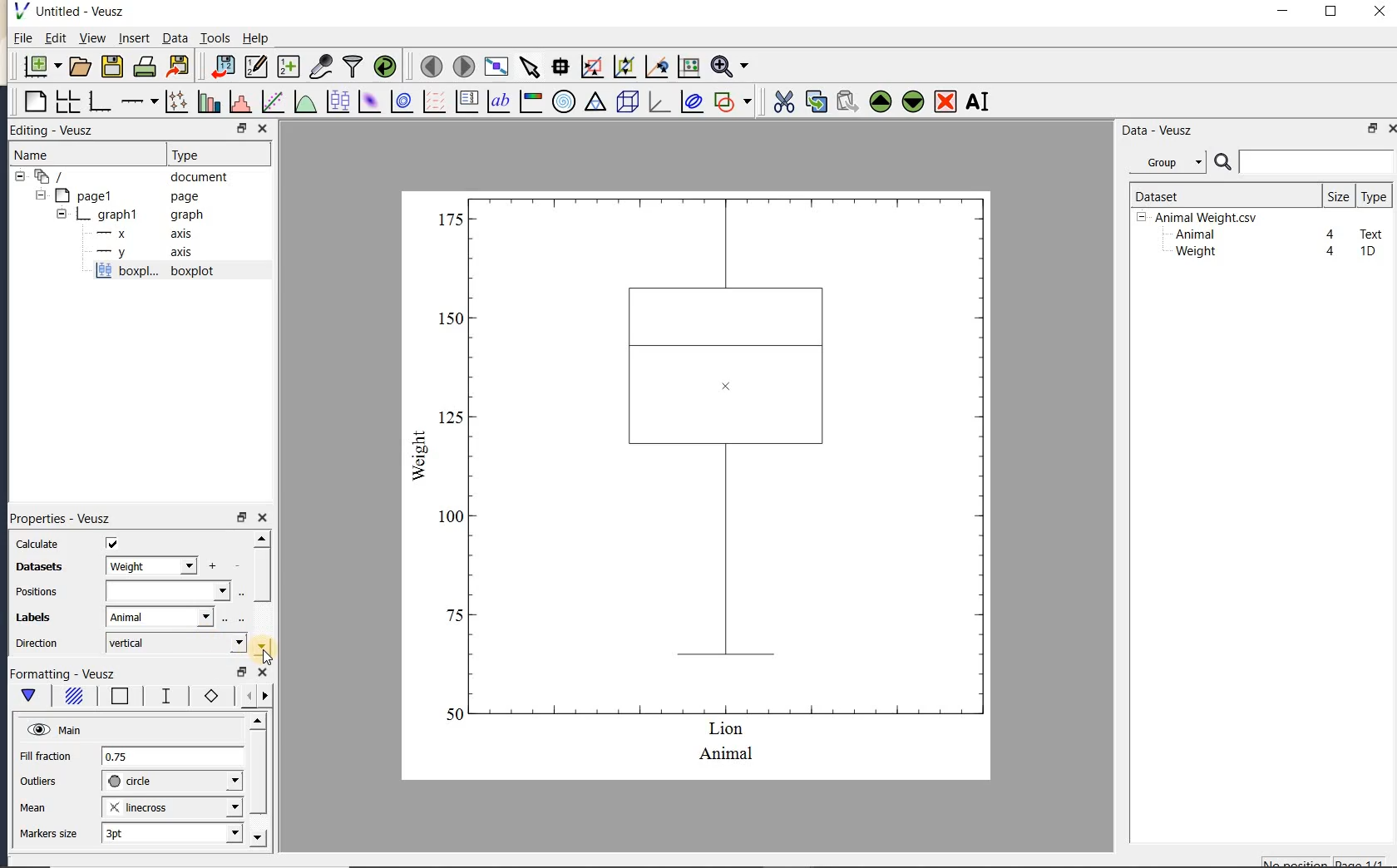  I want to click on import data into Veusz, so click(223, 67).